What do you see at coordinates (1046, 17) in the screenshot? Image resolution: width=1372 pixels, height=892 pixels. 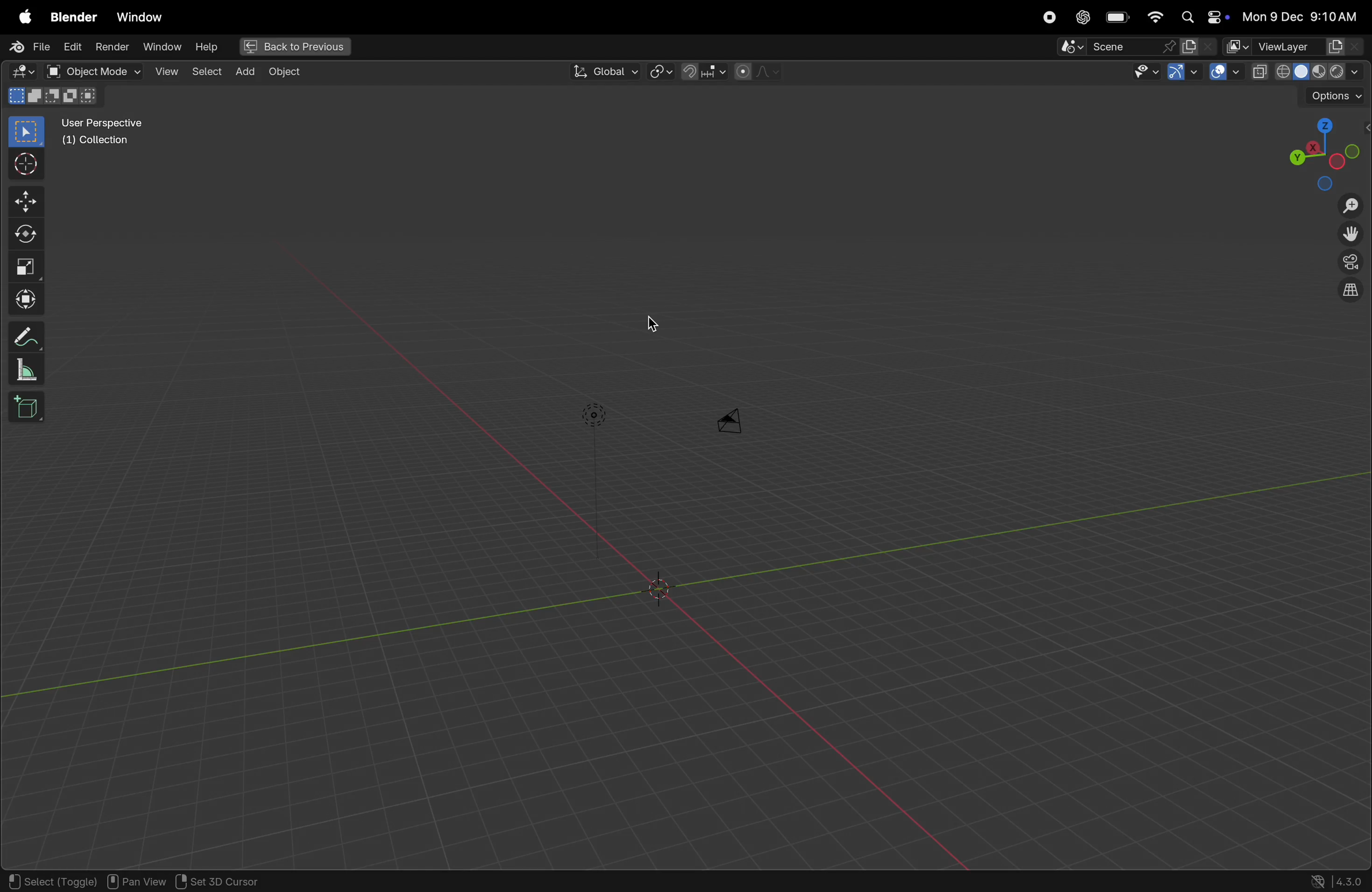 I see `record` at bounding box center [1046, 17].